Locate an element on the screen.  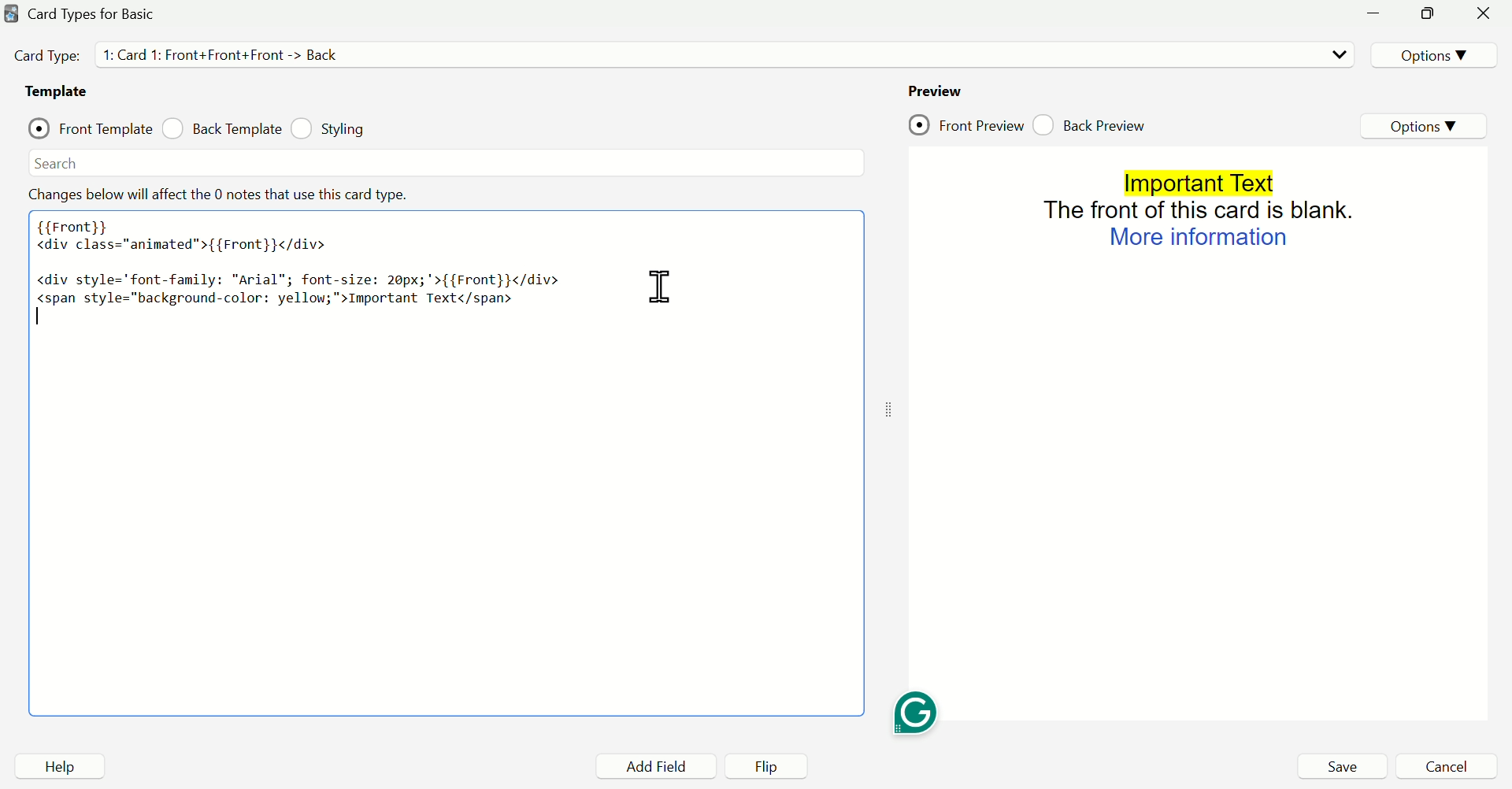
check Back Preview is located at coordinates (1089, 123).